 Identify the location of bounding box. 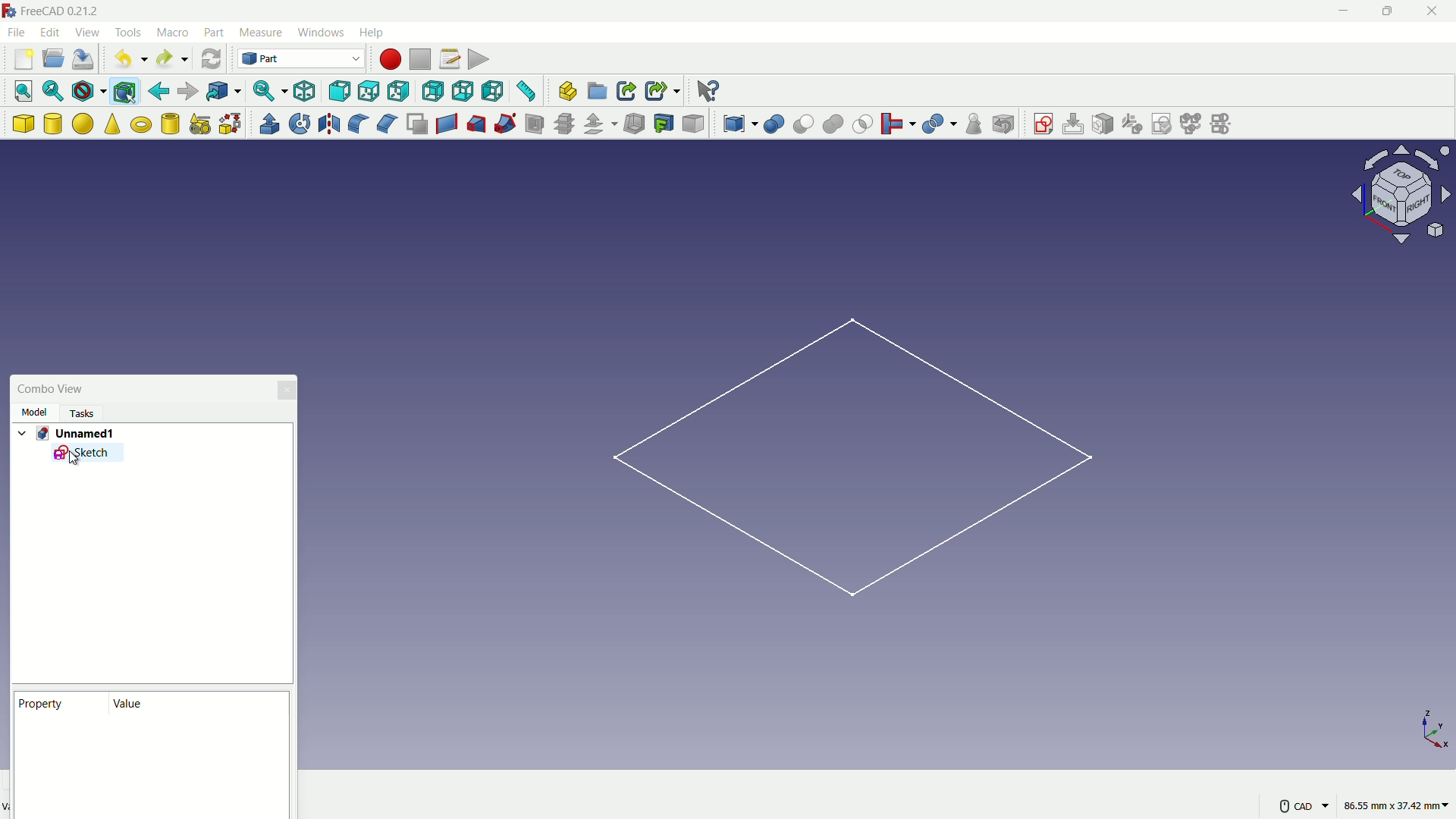
(124, 93).